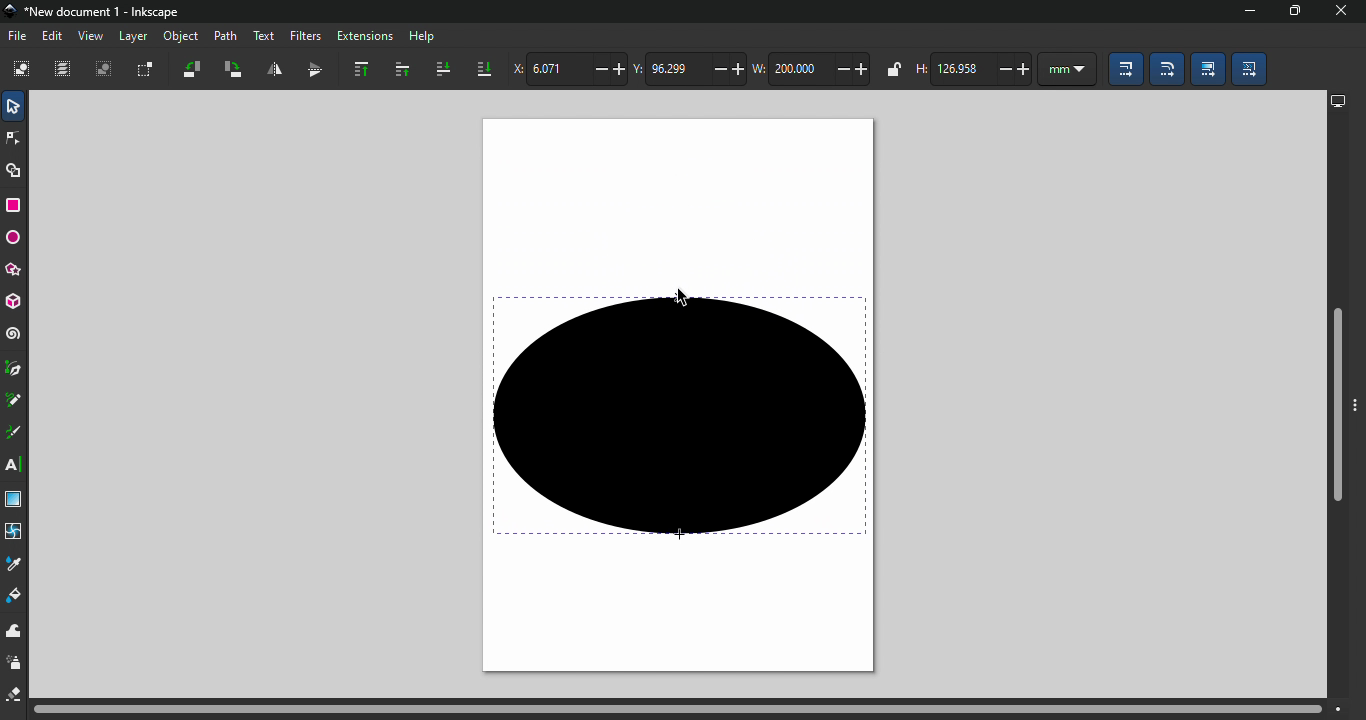 This screenshot has height=720, width=1366. Describe the element at coordinates (105, 71) in the screenshot. I see `Deselect all selected objects` at that location.